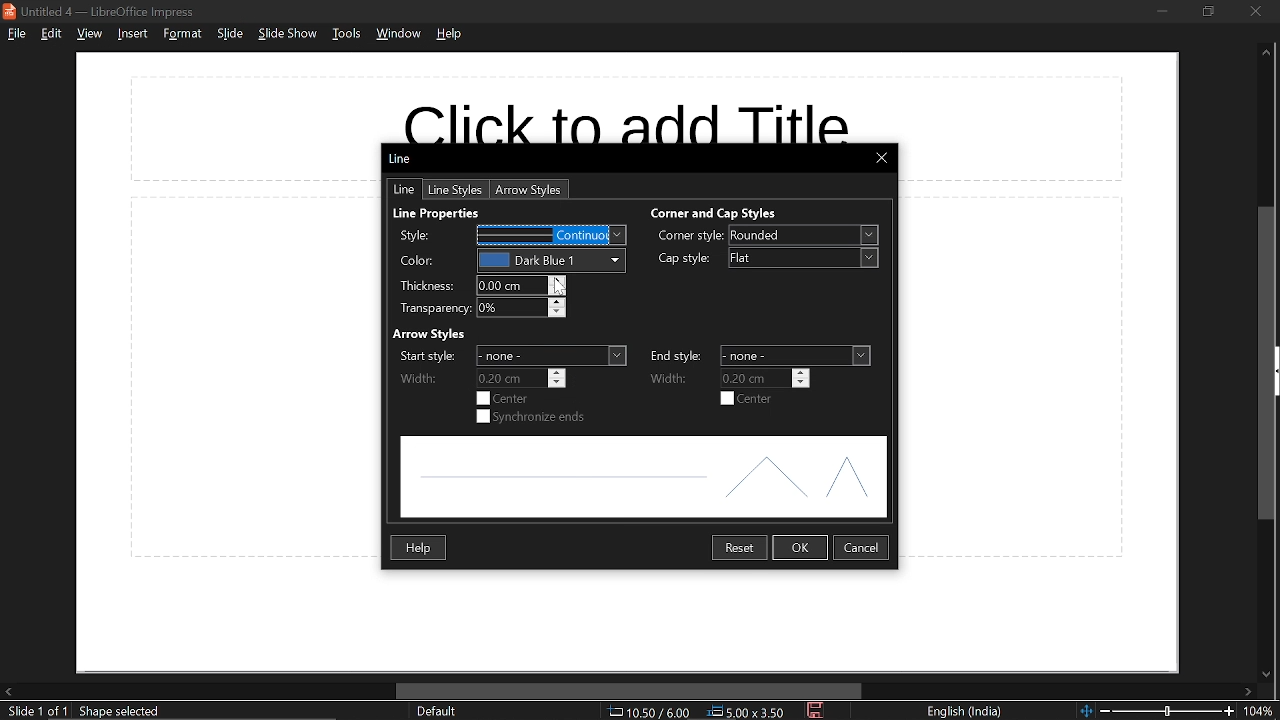 Image resolution: width=1280 pixels, height=720 pixels. What do you see at coordinates (436, 711) in the screenshot?
I see `page style` at bounding box center [436, 711].